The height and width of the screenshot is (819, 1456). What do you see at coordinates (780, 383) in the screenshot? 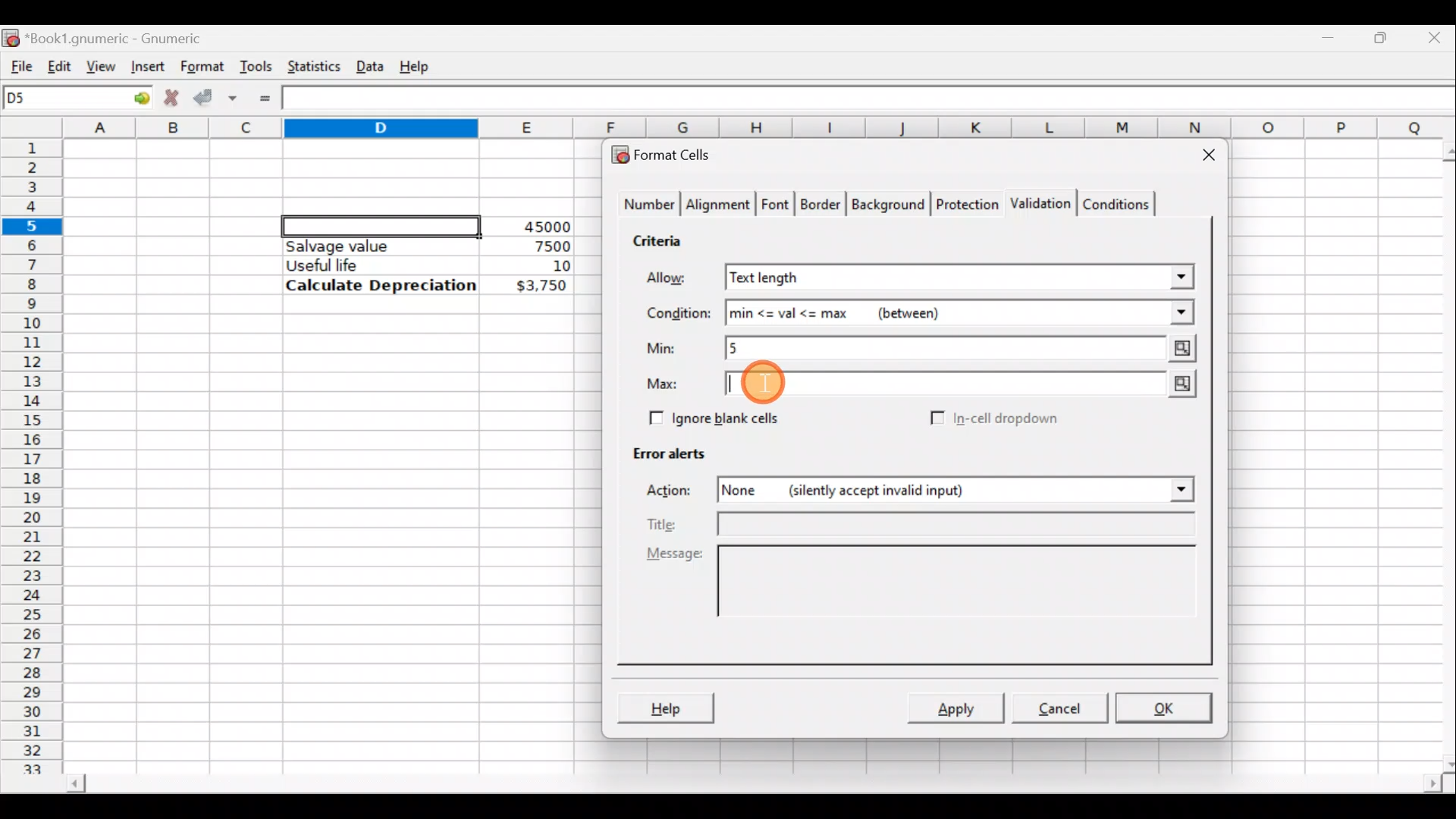
I see `Cursor on max value` at bounding box center [780, 383].